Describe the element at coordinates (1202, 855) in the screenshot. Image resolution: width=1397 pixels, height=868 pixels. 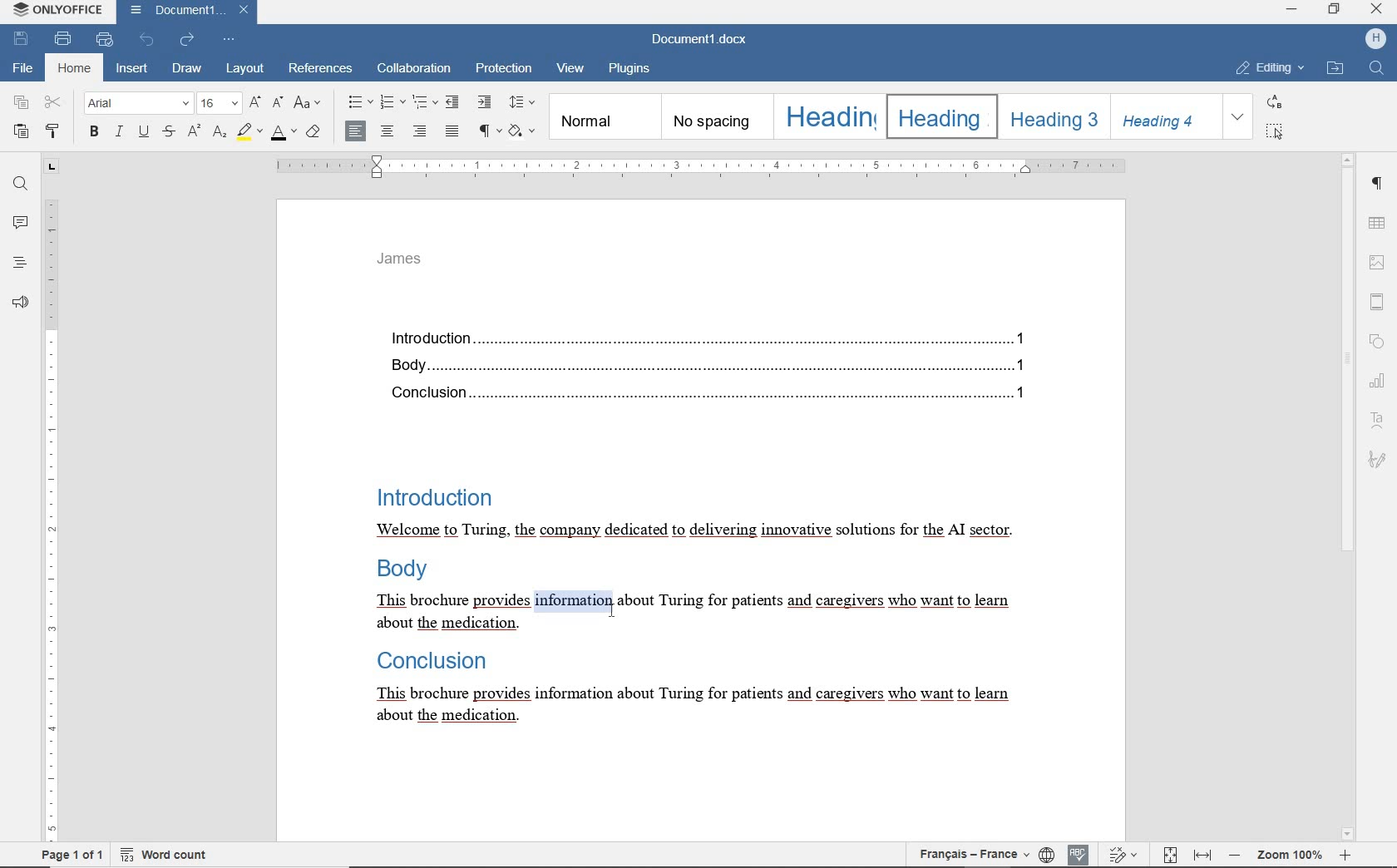
I see `FIT TO WIDTH` at that location.